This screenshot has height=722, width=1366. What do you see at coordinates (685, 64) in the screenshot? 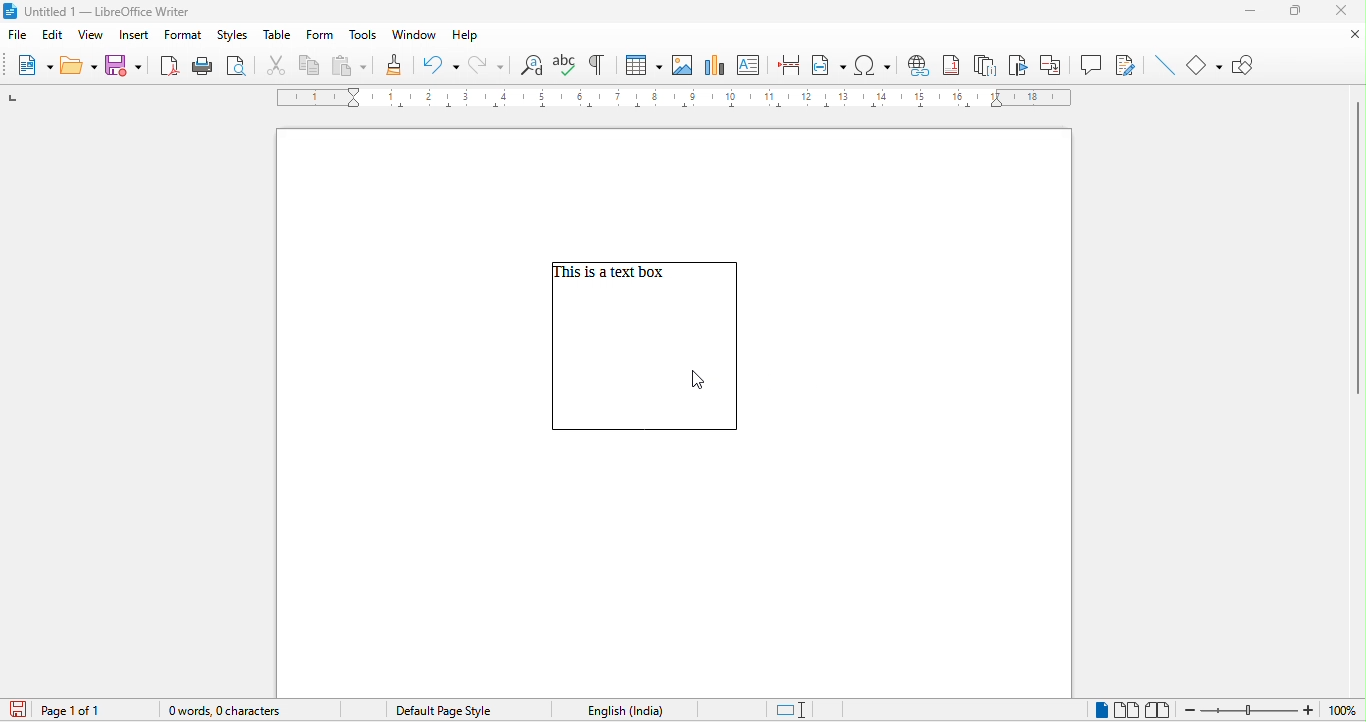
I see `image` at bounding box center [685, 64].